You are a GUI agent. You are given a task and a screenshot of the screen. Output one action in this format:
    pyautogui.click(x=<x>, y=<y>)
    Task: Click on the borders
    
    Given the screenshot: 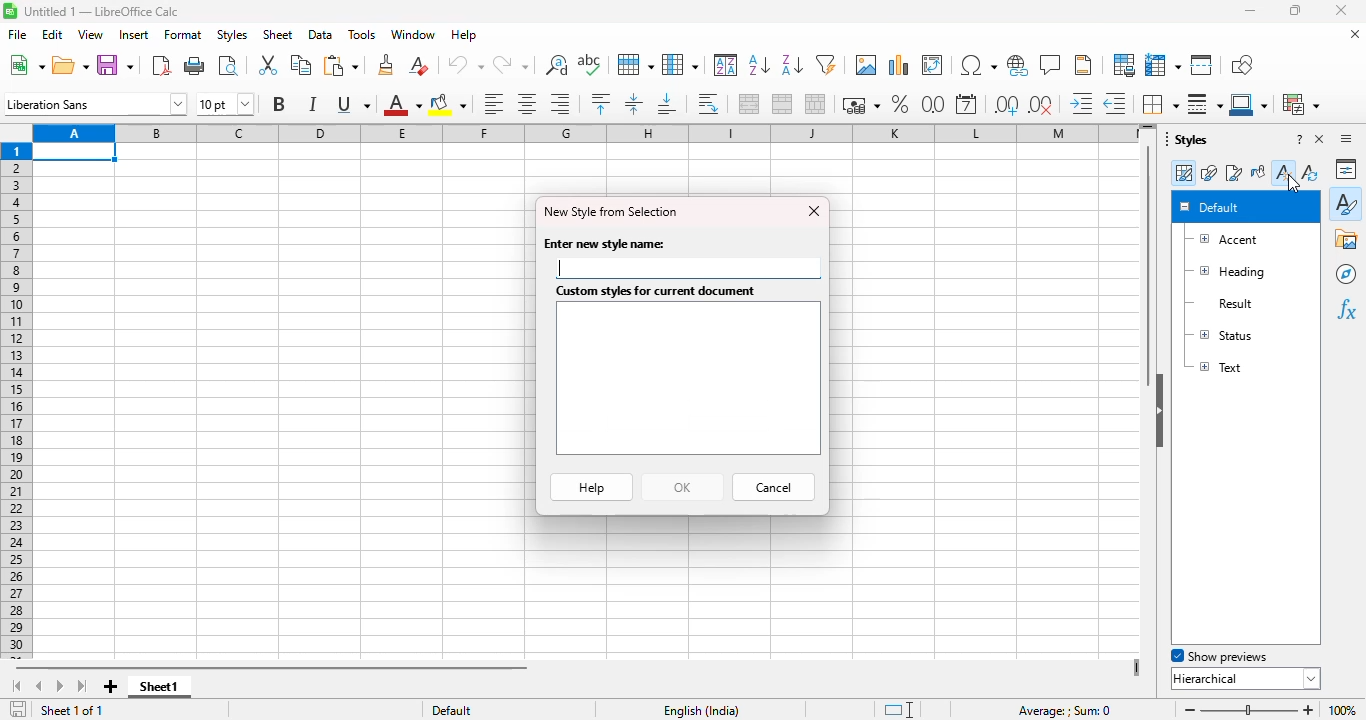 What is the action you would take?
    pyautogui.click(x=1159, y=103)
    